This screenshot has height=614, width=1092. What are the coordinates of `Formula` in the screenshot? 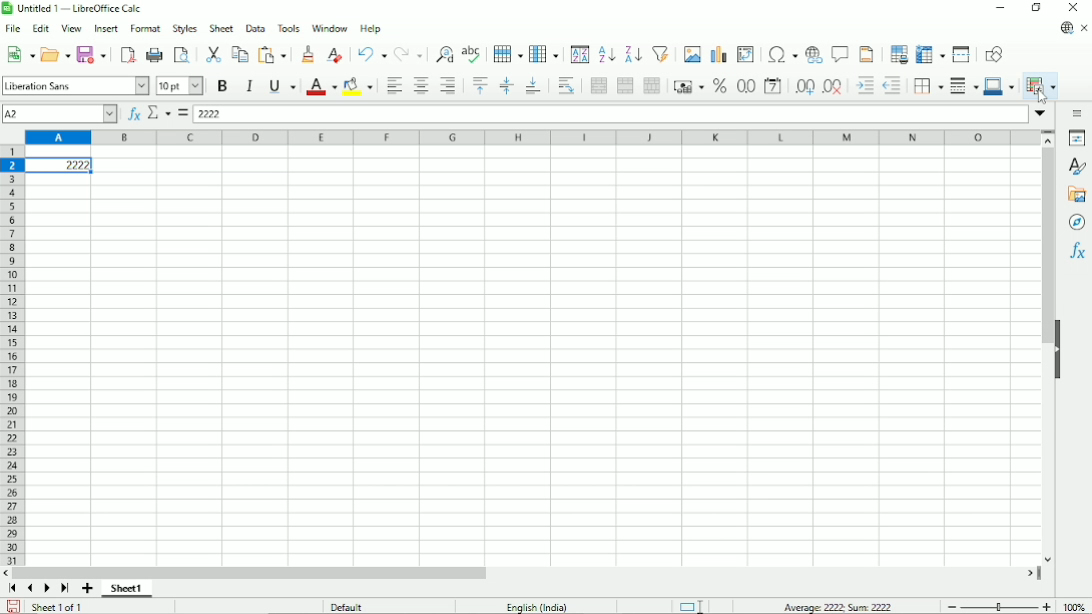 It's located at (182, 113).